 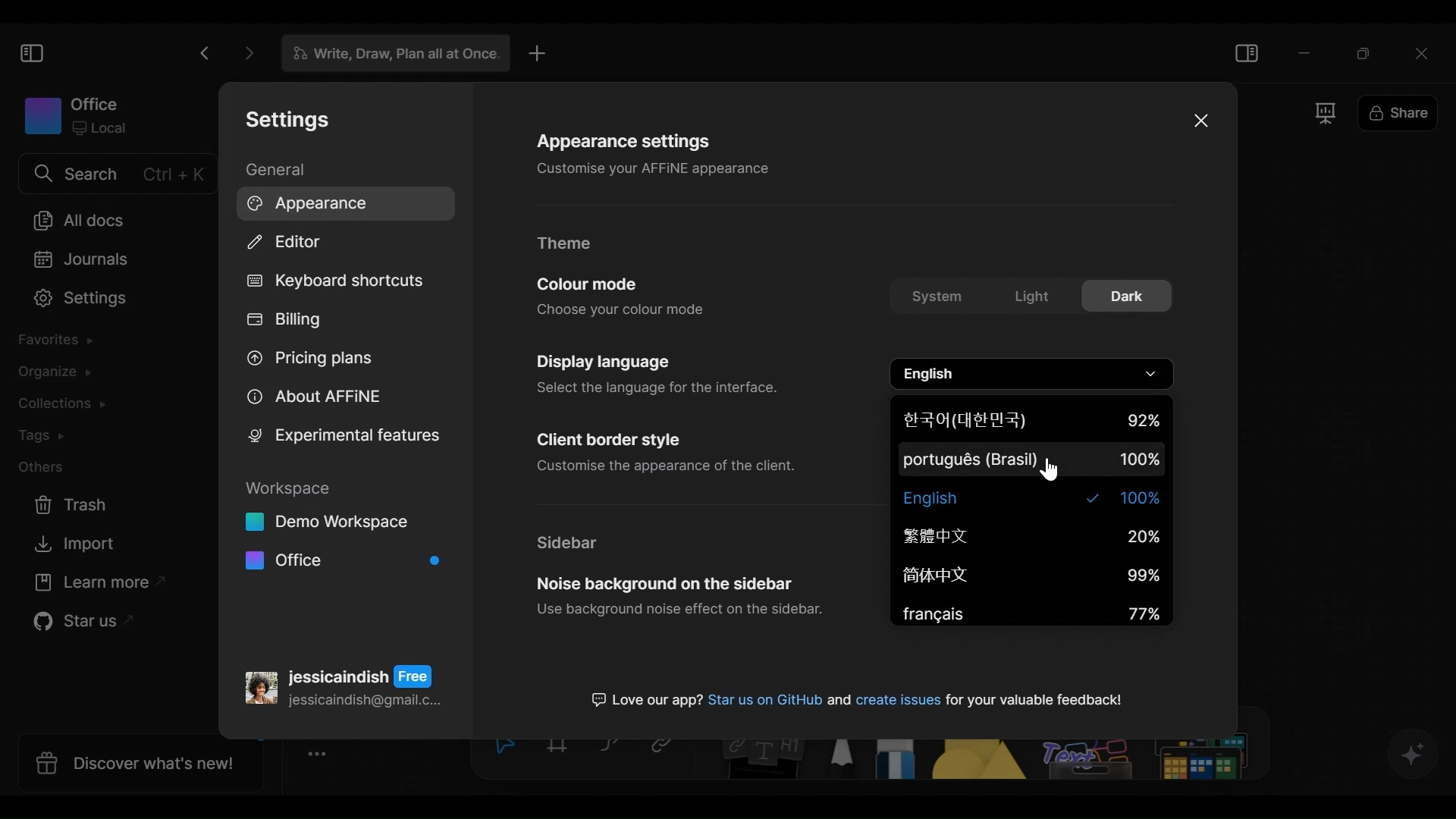 What do you see at coordinates (312, 362) in the screenshot?
I see `Pricing plans` at bounding box center [312, 362].